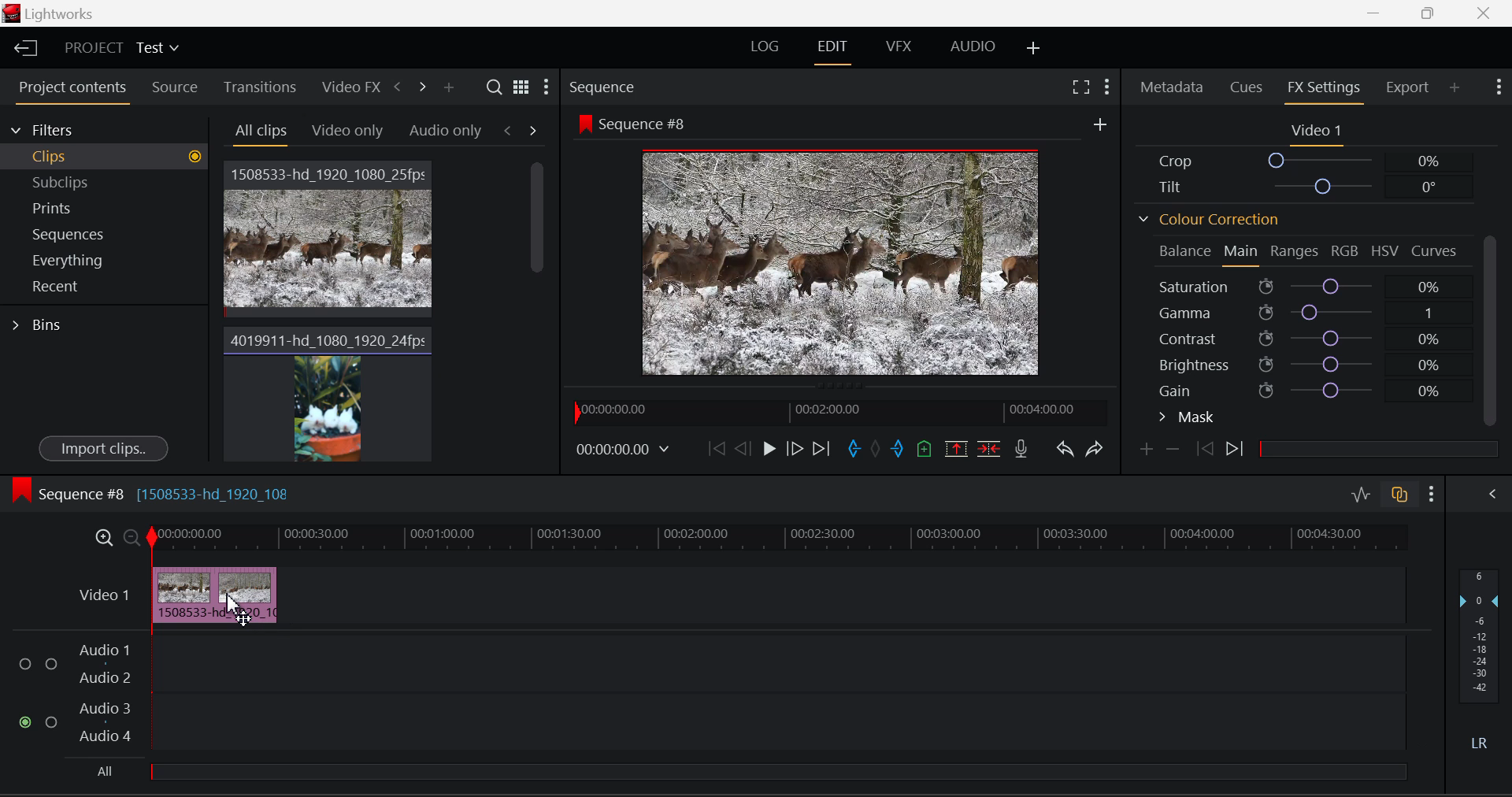 Image resolution: width=1512 pixels, height=797 pixels. What do you see at coordinates (1496, 496) in the screenshot?
I see `Show Audio Mix` at bounding box center [1496, 496].